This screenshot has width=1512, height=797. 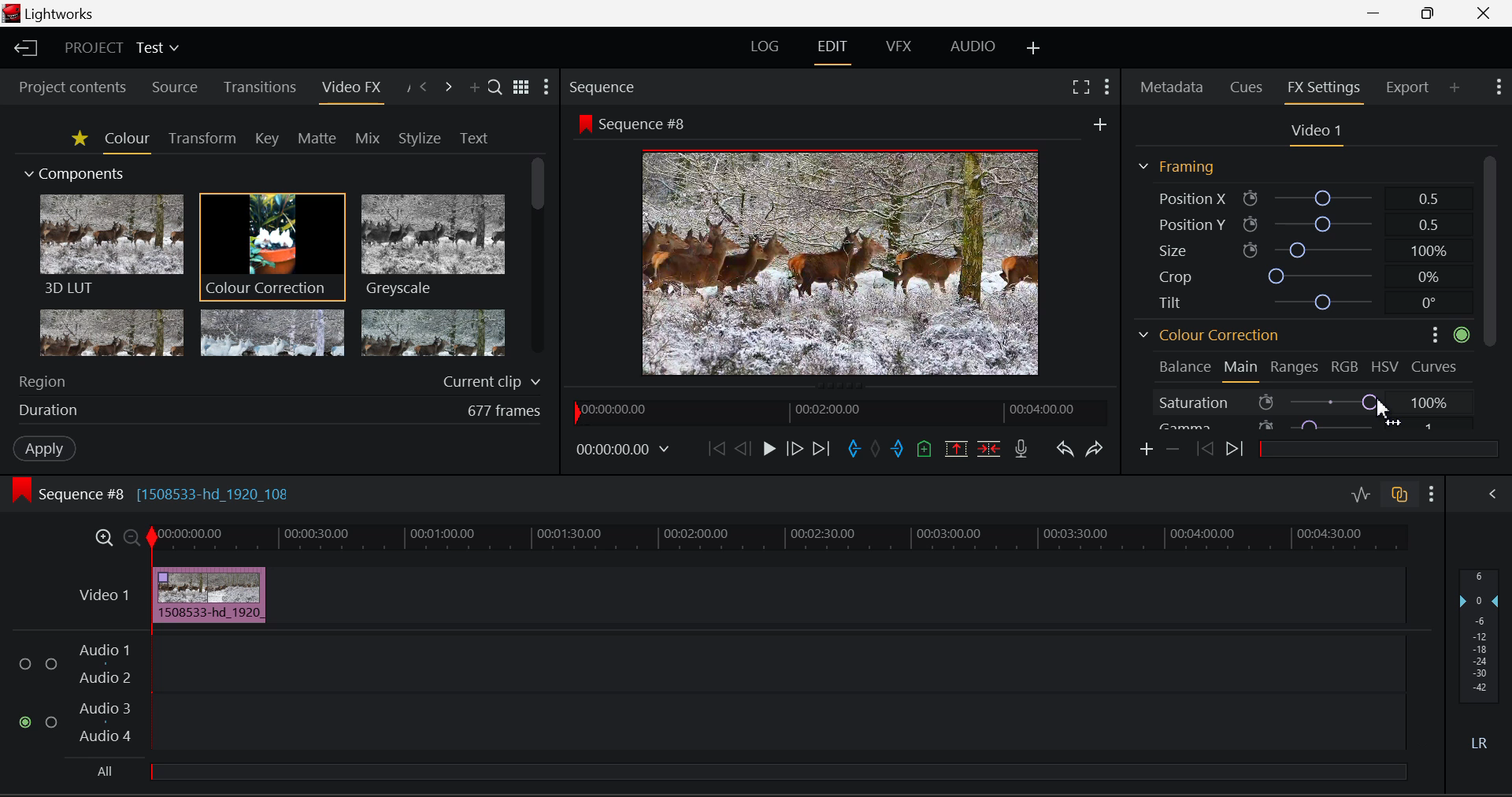 I want to click on Previous Panel, so click(x=424, y=86).